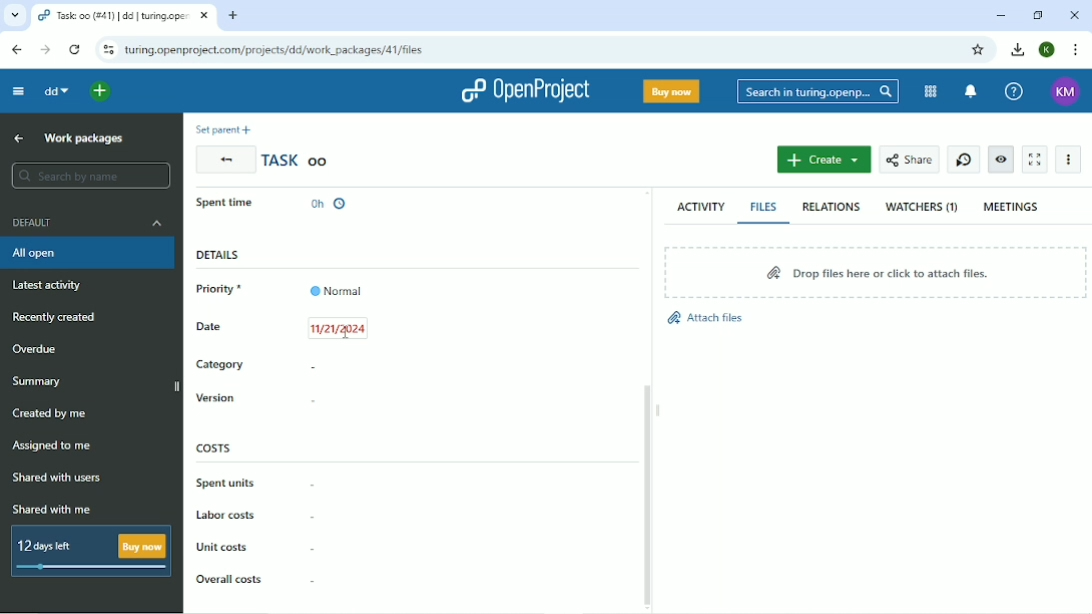 This screenshot has width=1092, height=614. Describe the element at coordinates (234, 15) in the screenshot. I see `New tab` at that location.